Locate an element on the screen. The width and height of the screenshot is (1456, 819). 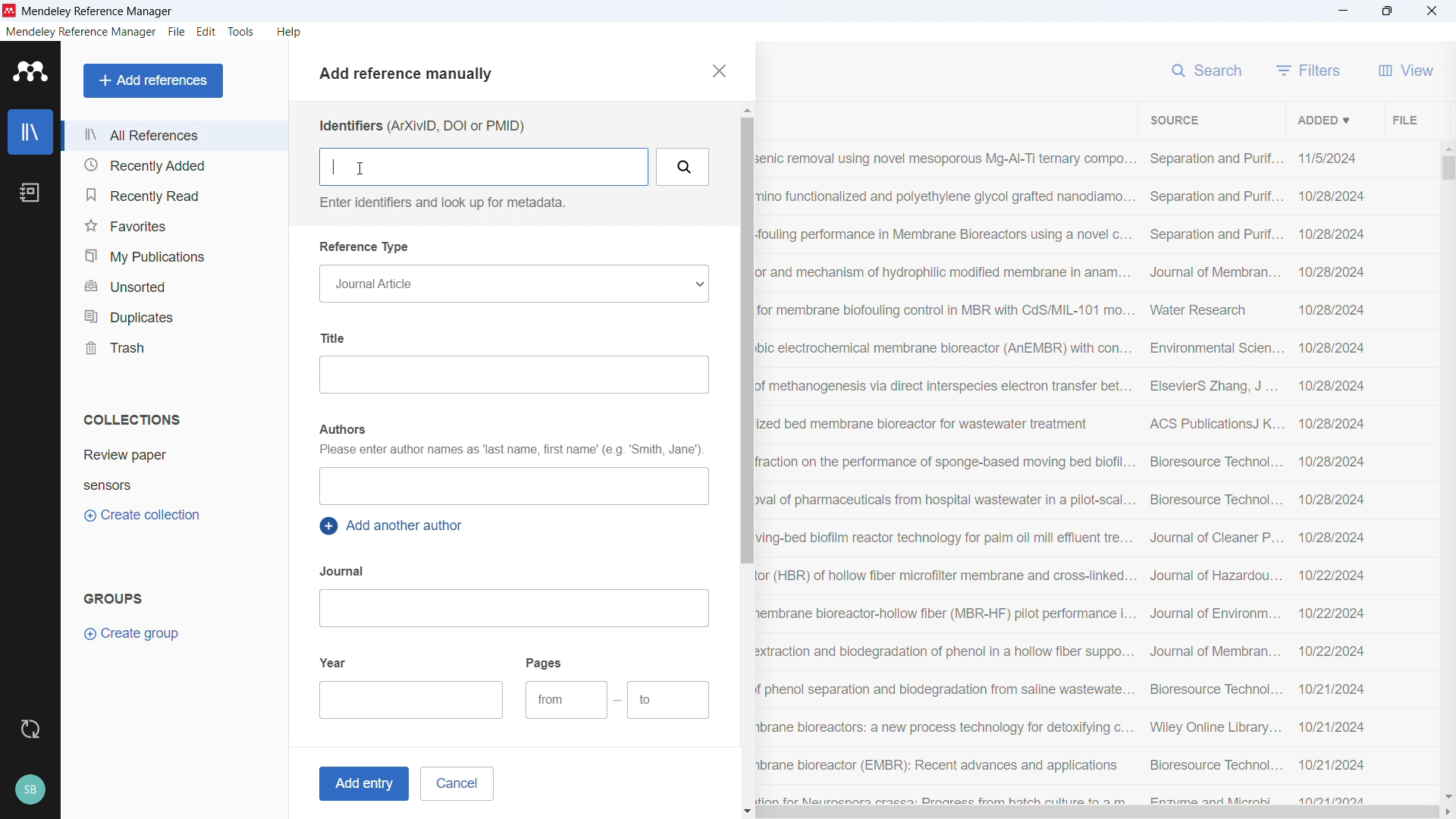
Add journal name  is located at coordinates (513, 608).